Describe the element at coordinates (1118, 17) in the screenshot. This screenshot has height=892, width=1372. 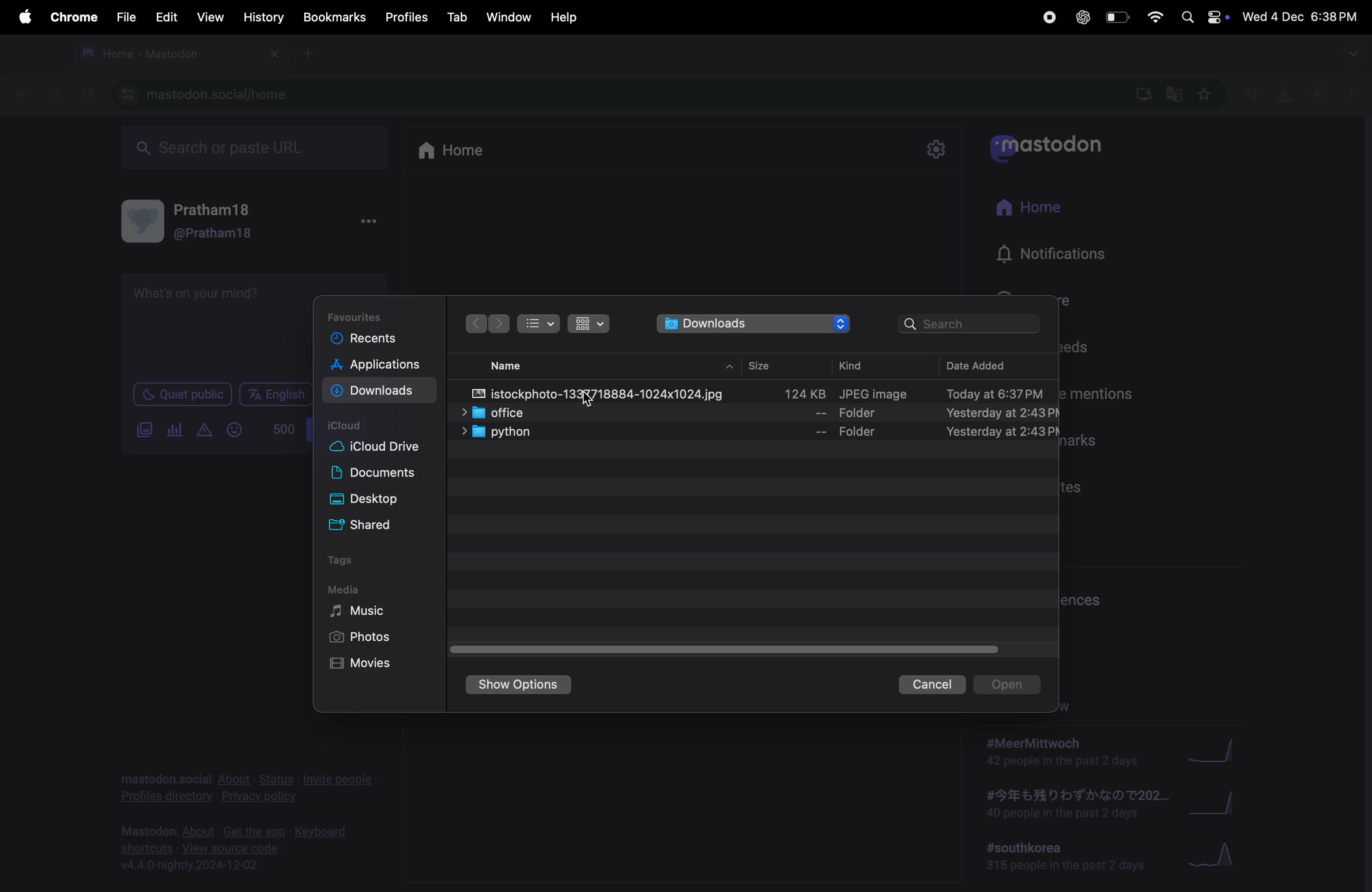
I see `battery` at that location.